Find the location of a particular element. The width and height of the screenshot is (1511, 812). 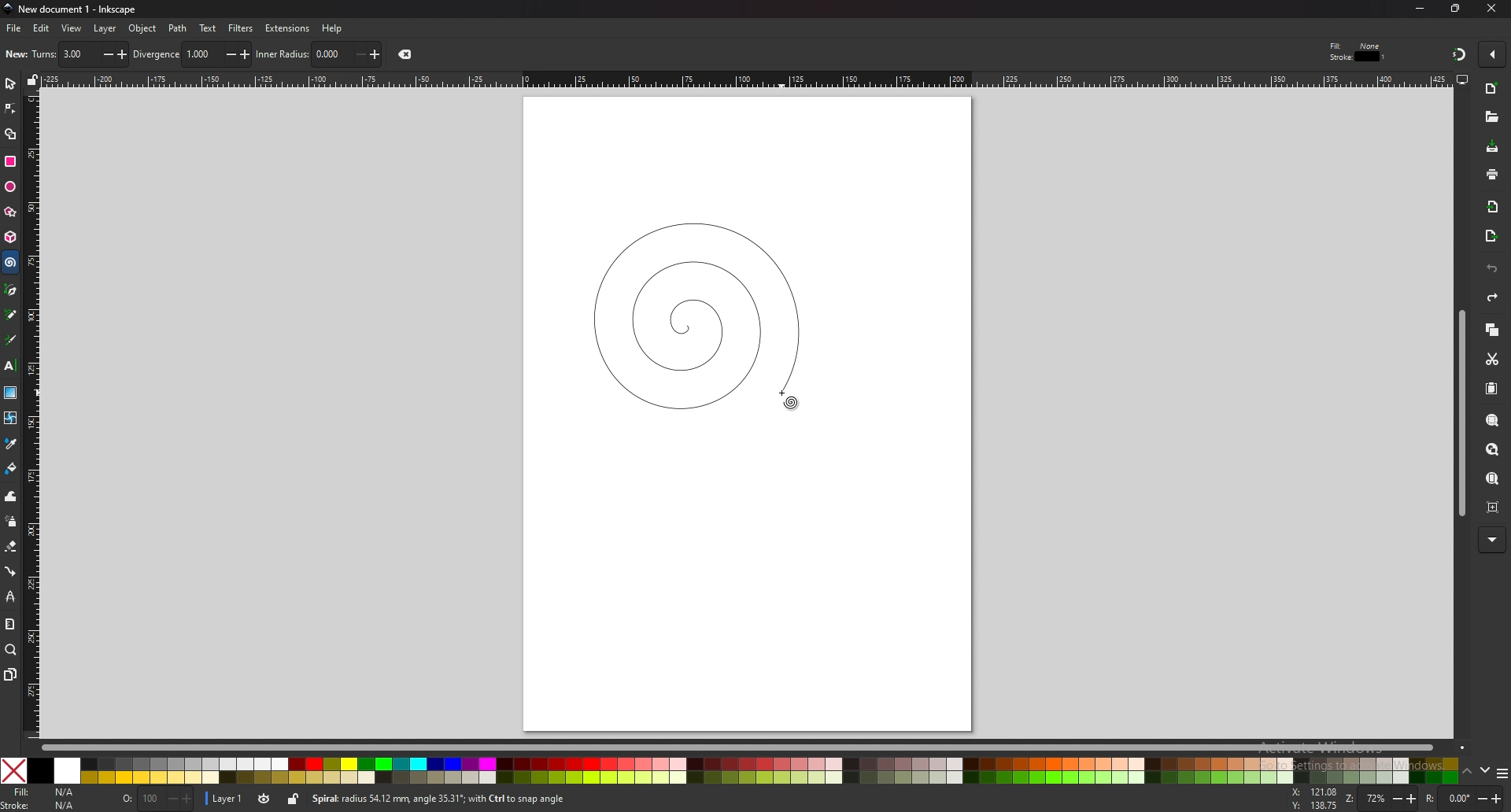

help is located at coordinates (332, 28).